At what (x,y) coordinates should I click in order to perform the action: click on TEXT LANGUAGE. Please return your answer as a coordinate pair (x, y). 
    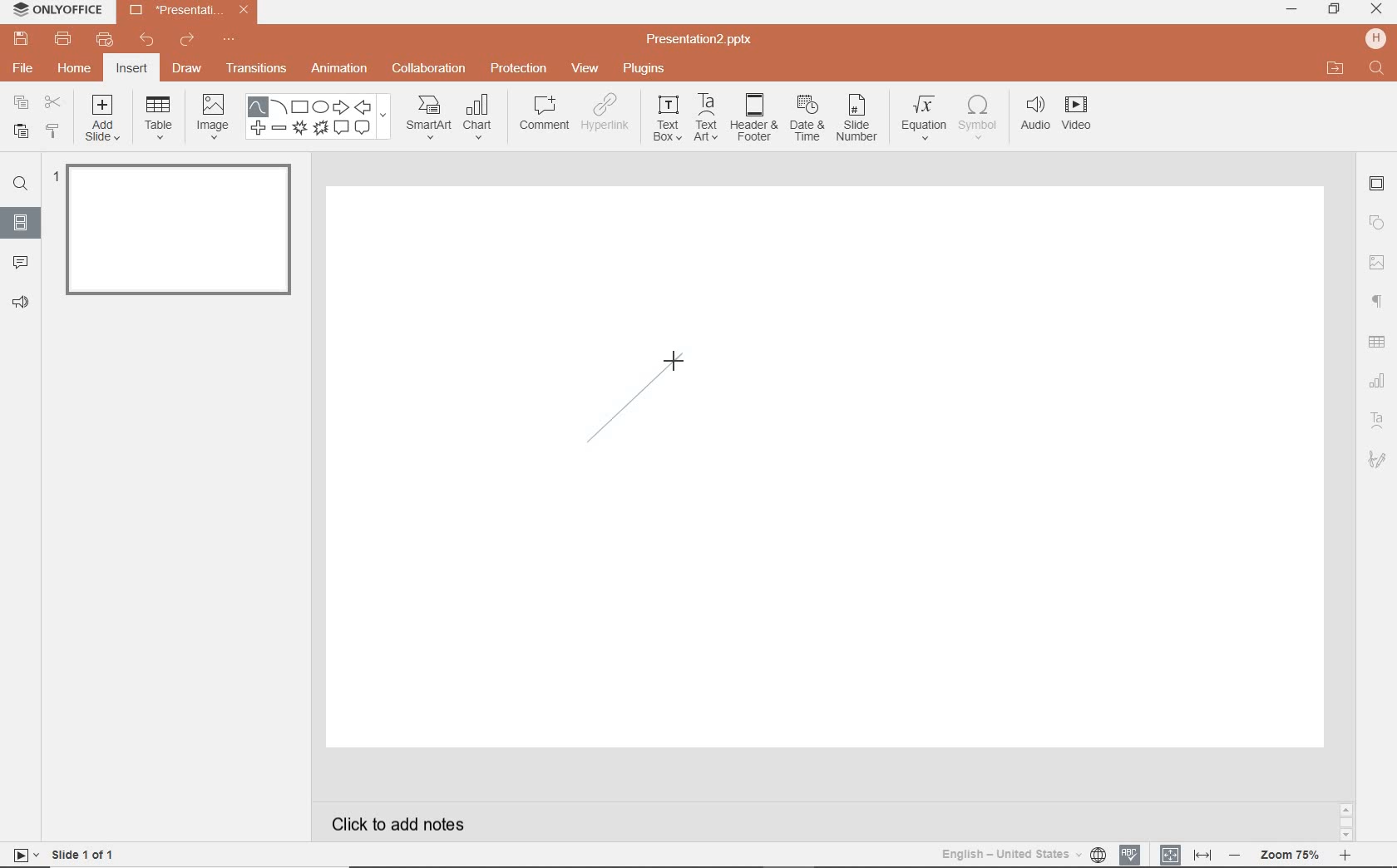
    Looking at the image, I should click on (1023, 852).